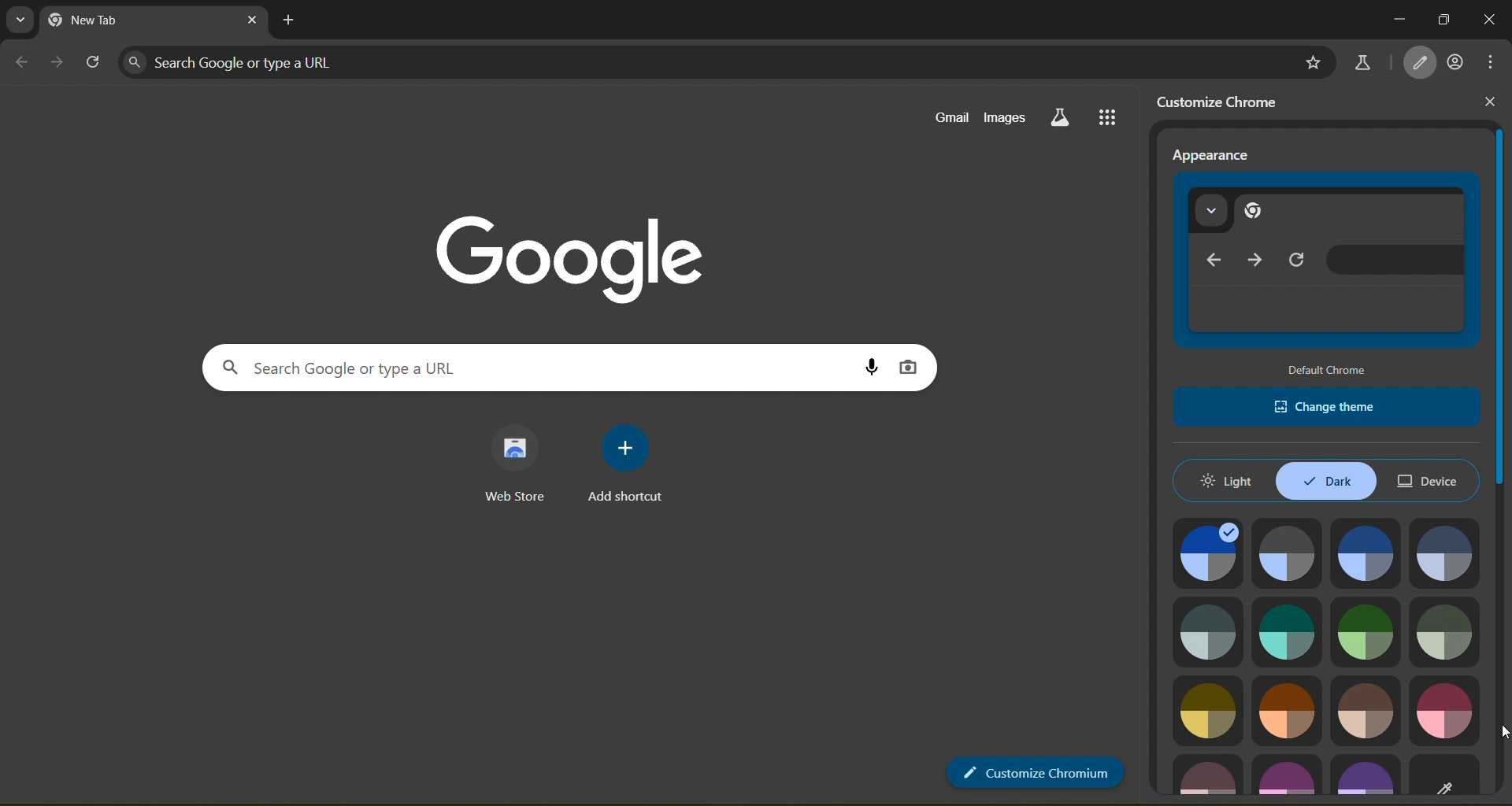 This screenshot has height=806, width=1512. I want to click on web store, so click(516, 462).